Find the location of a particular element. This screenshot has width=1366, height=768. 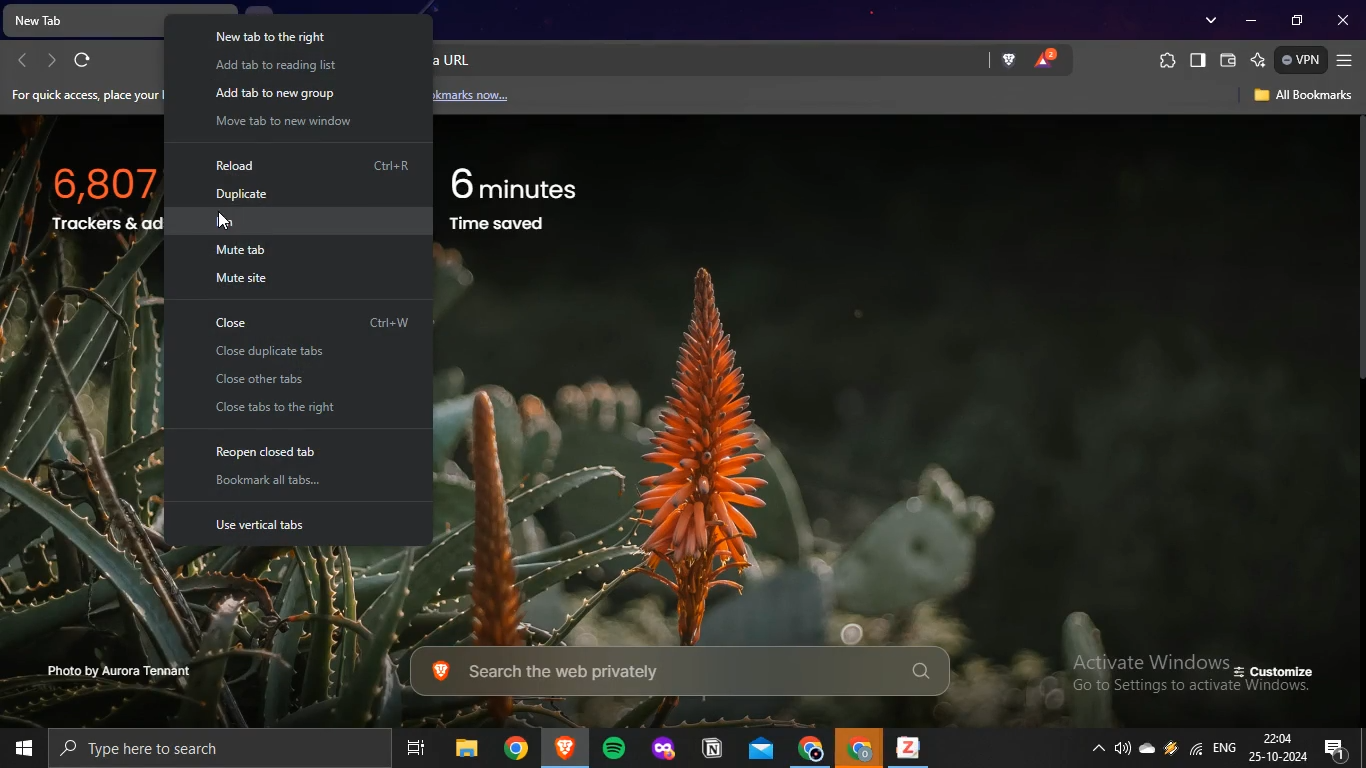

wifi is located at coordinates (1194, 748).